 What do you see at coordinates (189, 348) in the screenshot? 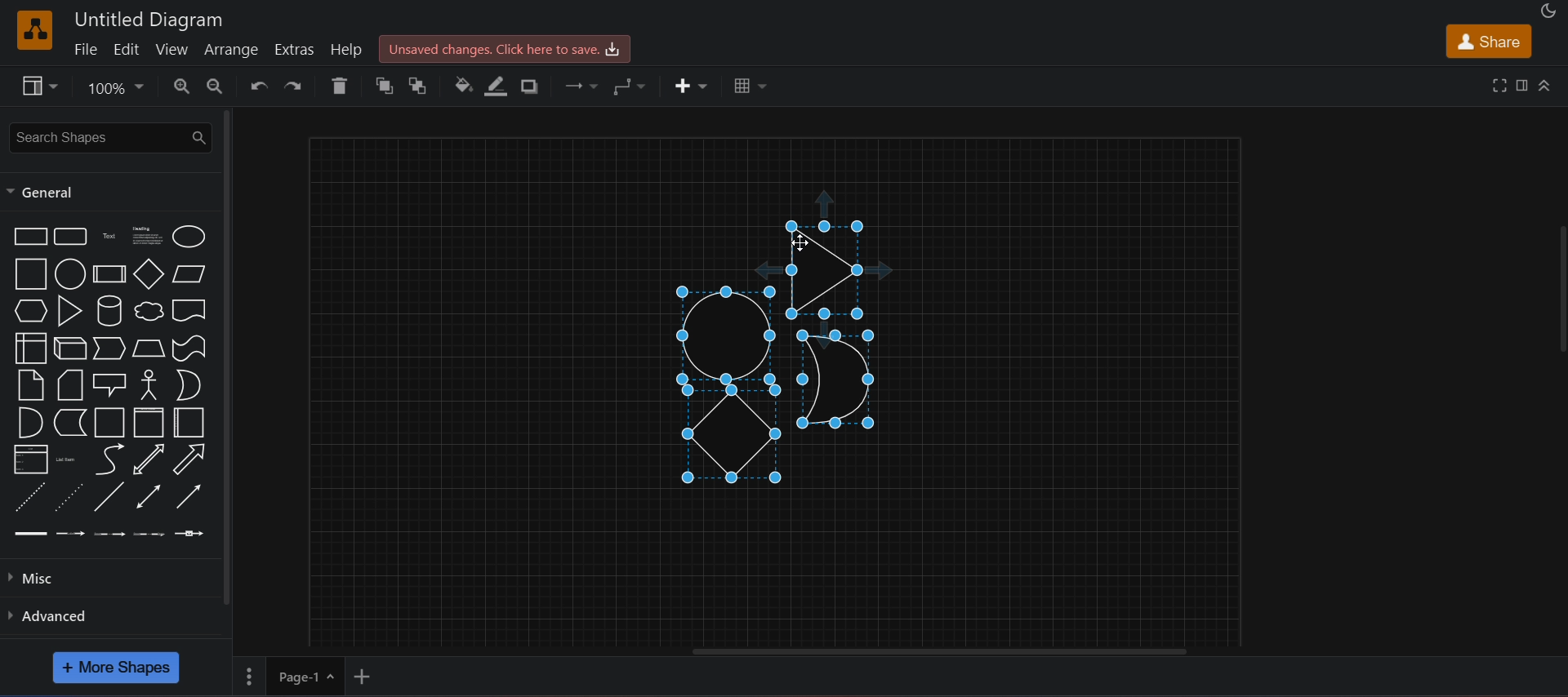
I see `tape` at bounding box center [189, 348].